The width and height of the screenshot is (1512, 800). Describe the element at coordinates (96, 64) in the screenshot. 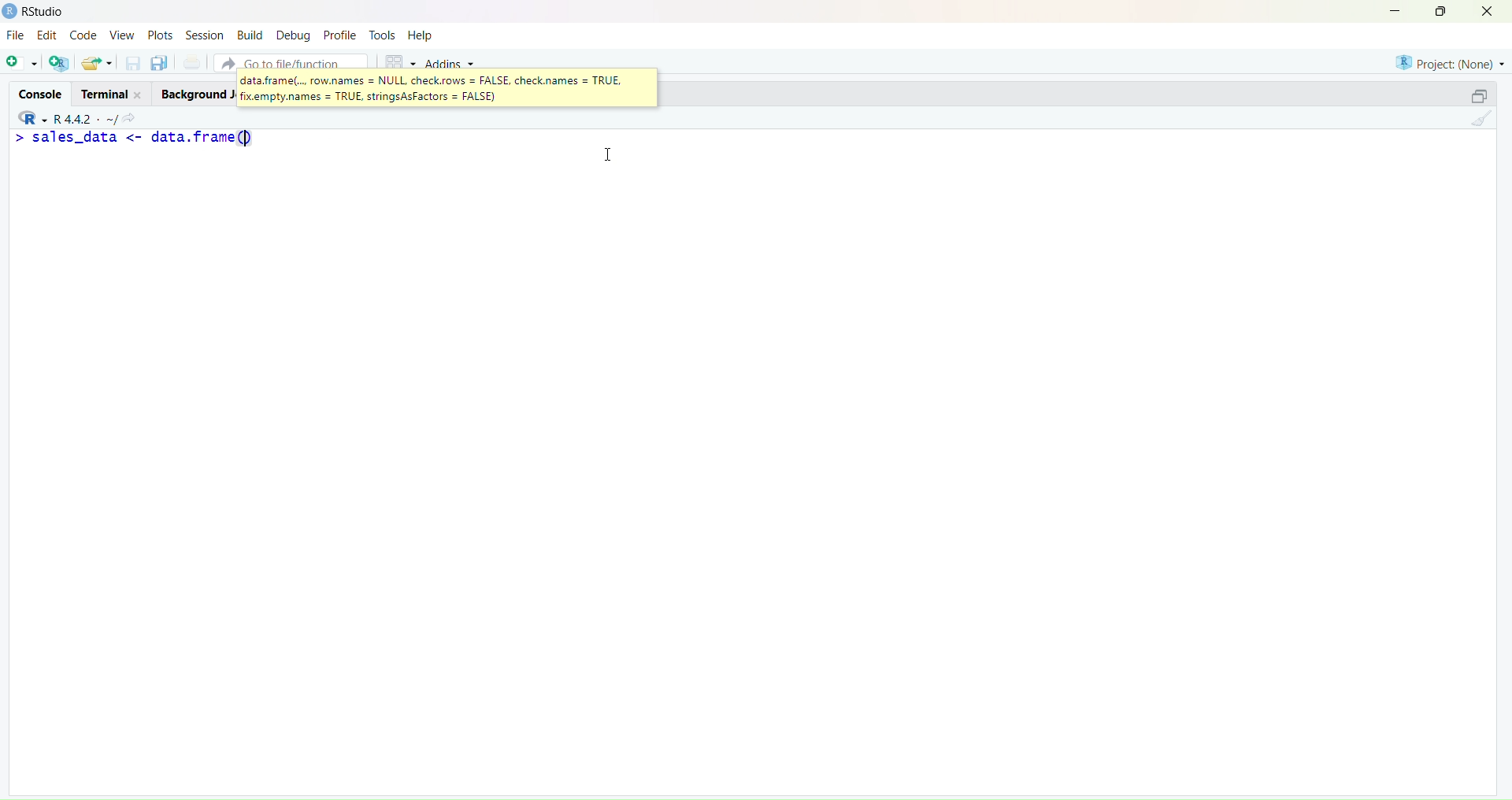

I see `save and export` at that location.